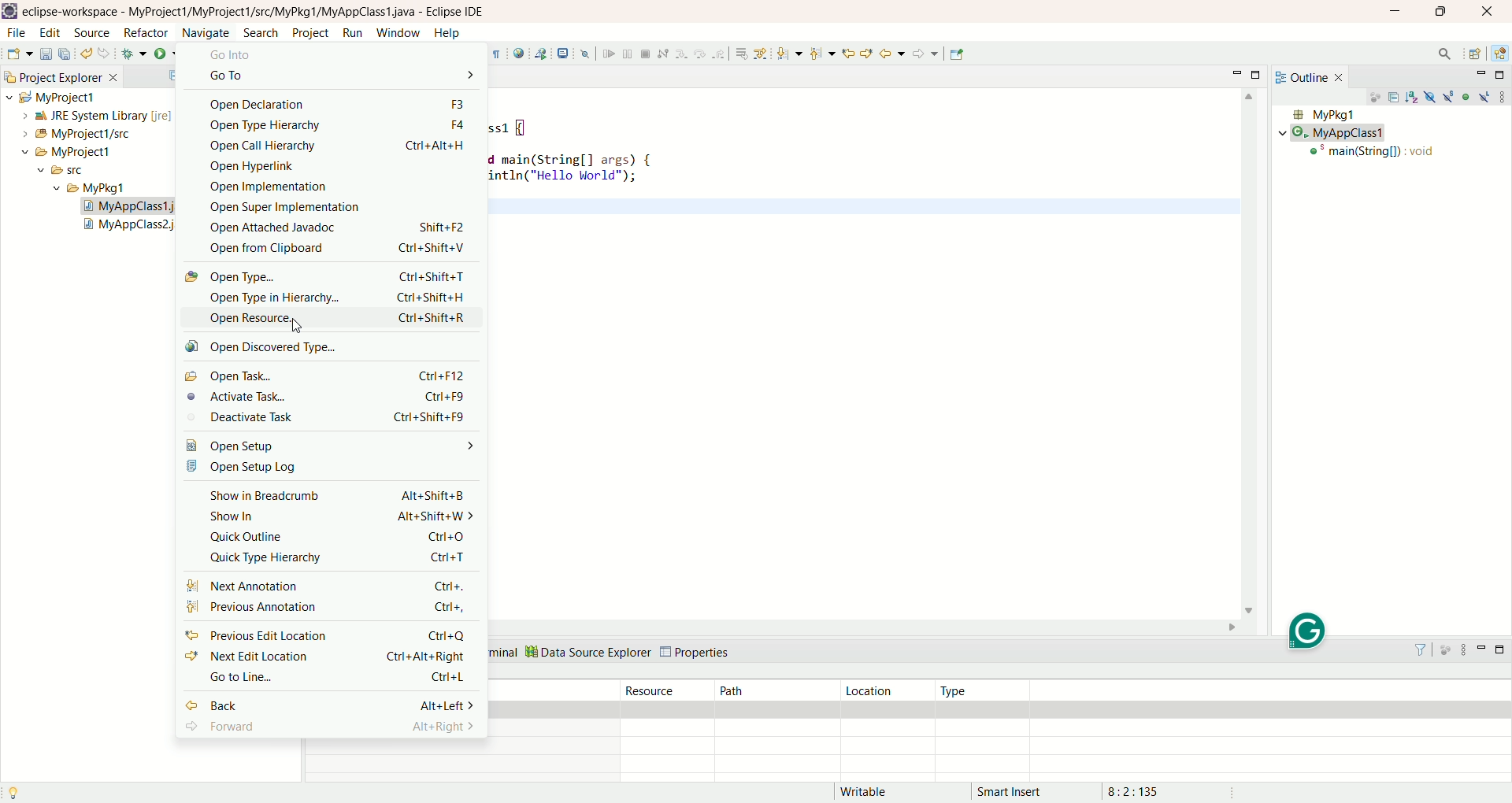 Image resolution: width=1512 pixels, height=803 pixels. I want to click on quick type hierarchy, so click(335, 557).